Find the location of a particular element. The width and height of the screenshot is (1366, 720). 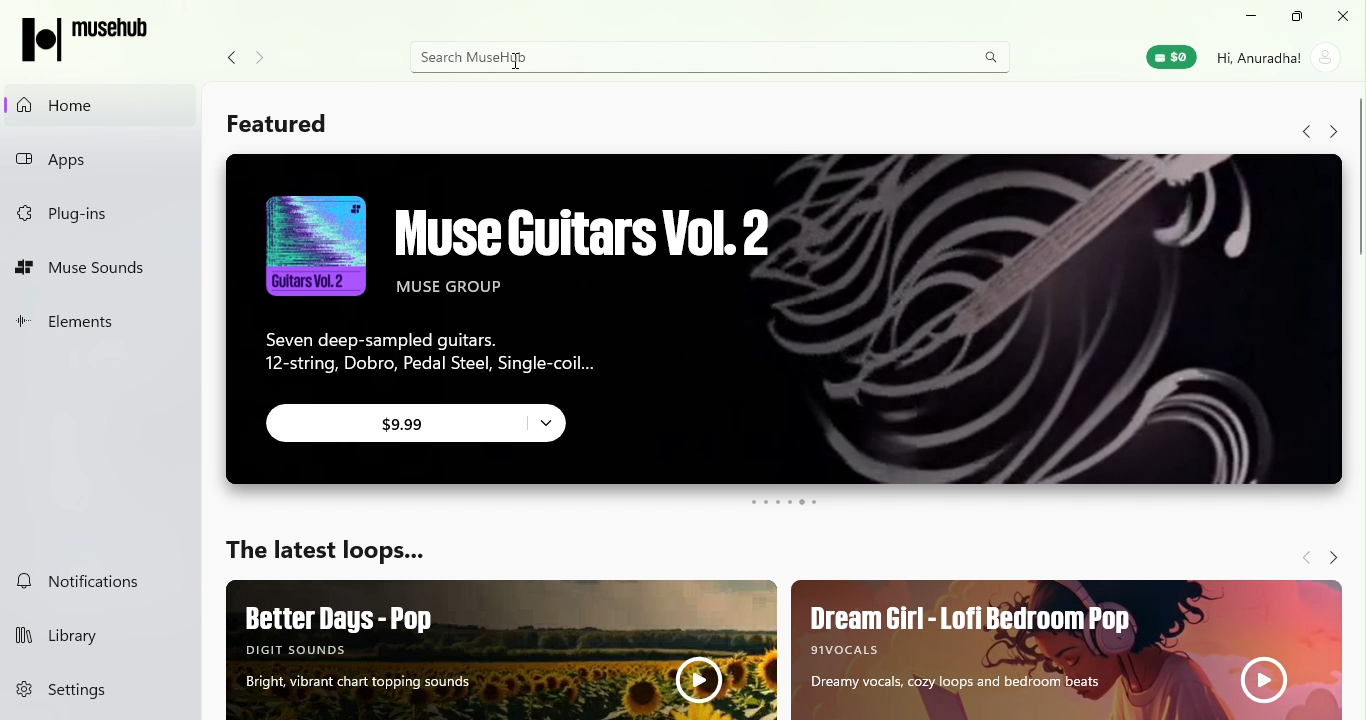

Ad is located at coordinates (1064, 647).